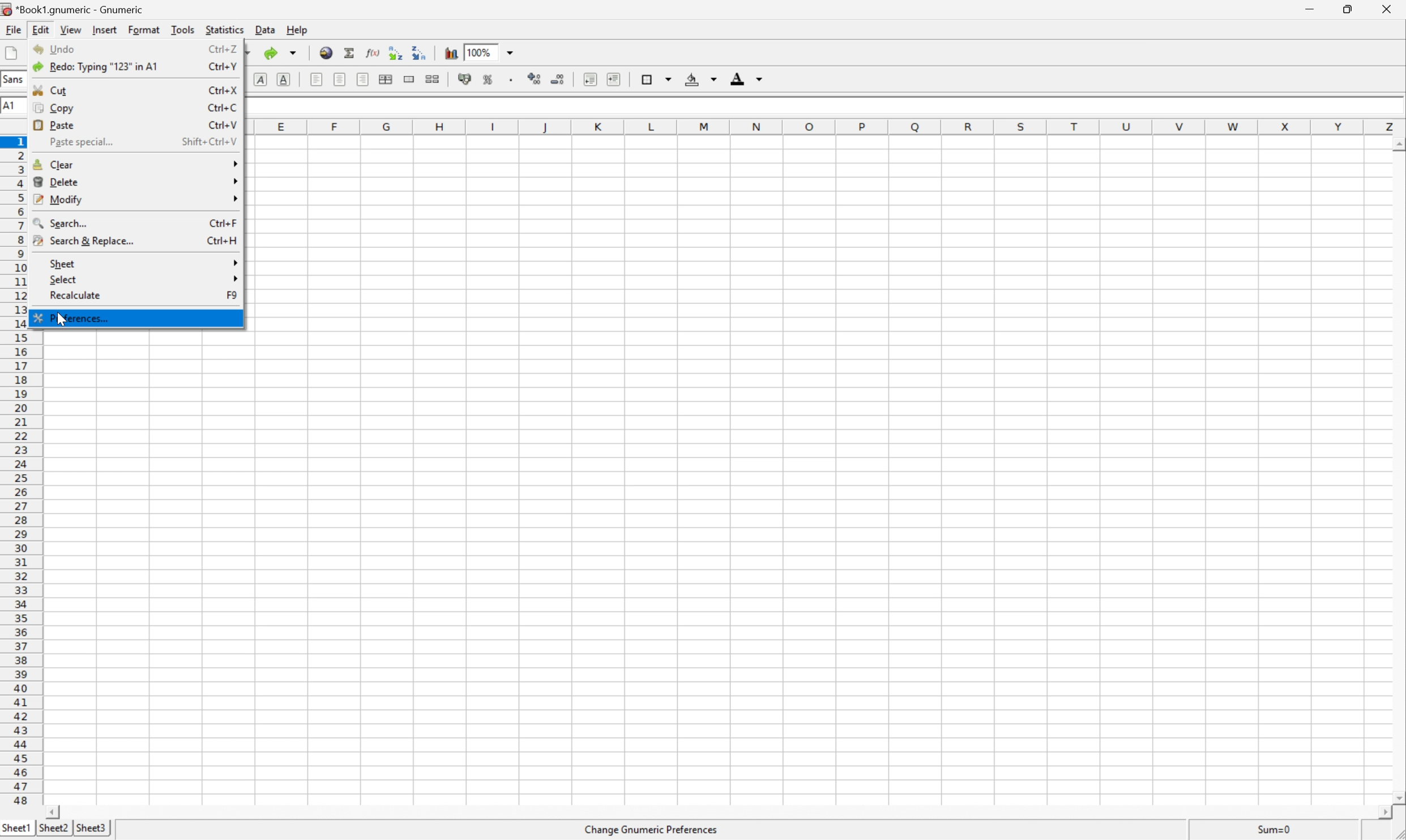 This screenshot has width=1406, height=840. What do you see at coordinates (16, 830) in the screenshot?
I see `sheet1` at bounding box center [16, 830].